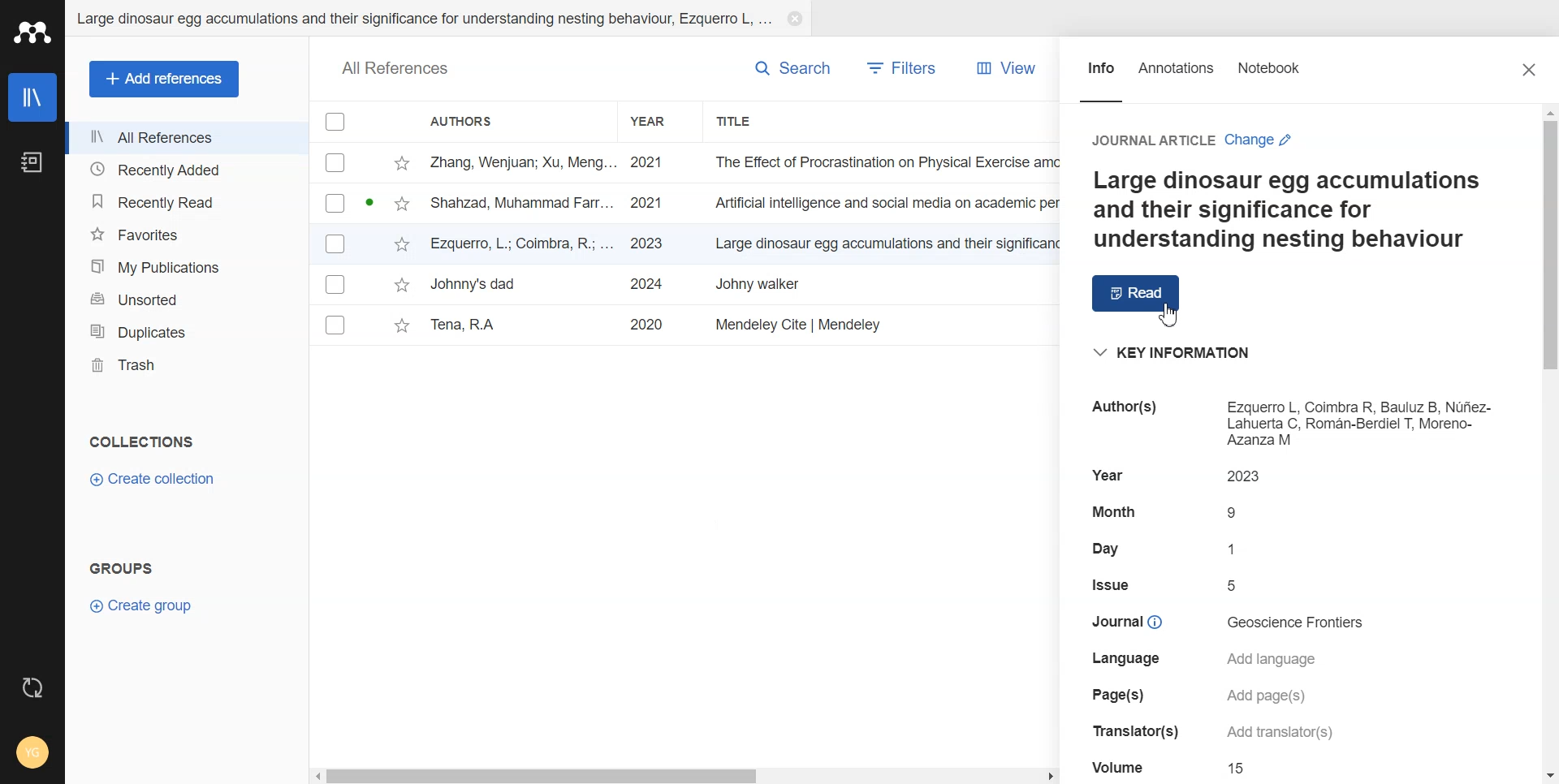  What do you see at coordinates (184, 201) in the screenshot?
I see `Recently Read` at bounding box center [184, 201].